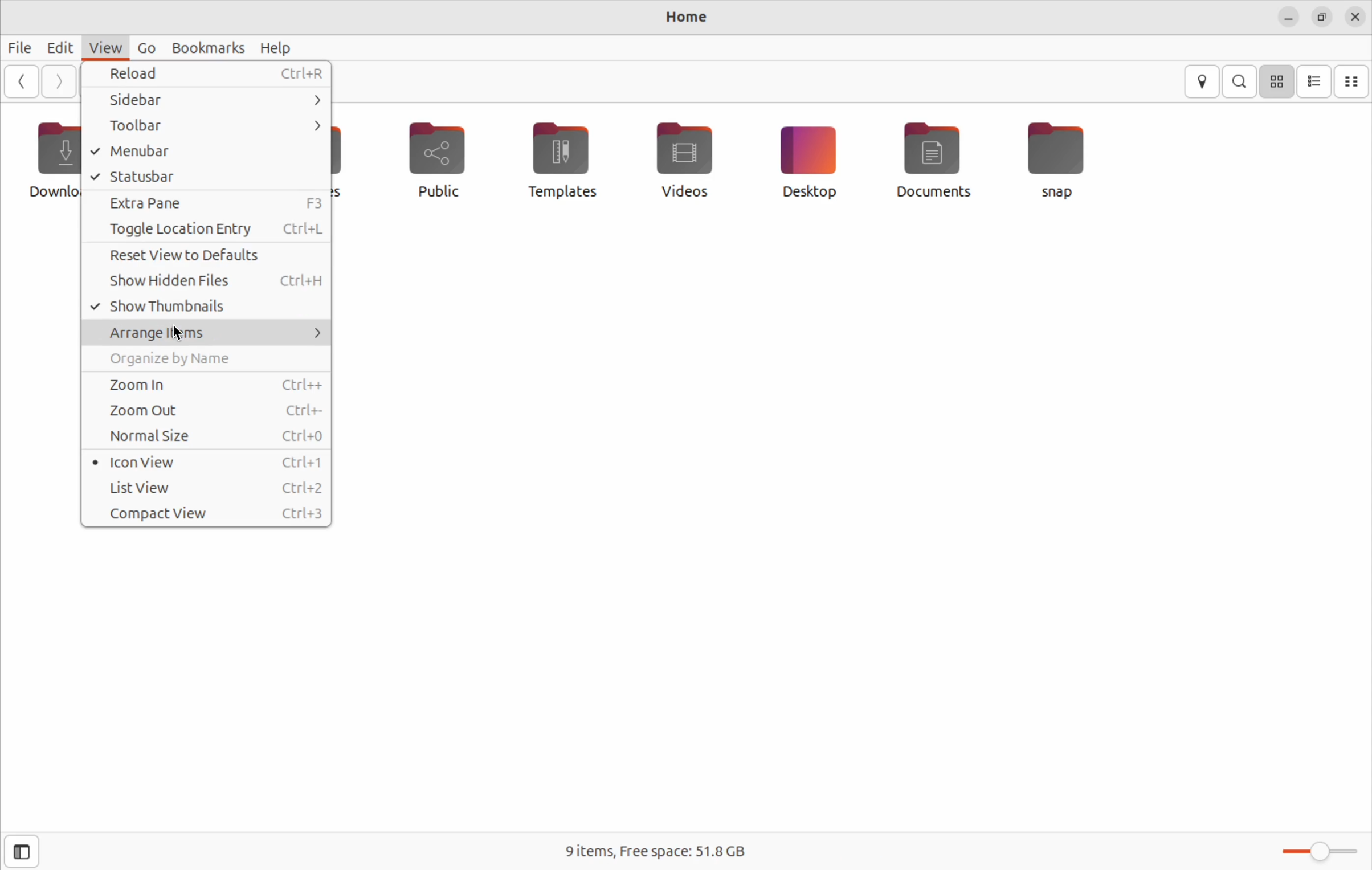 This screenshot has height=870, width=1372. What do you see at coordinates (354, 158) in the screenshot?
I see `pictures` at bounding box center [354, 158].